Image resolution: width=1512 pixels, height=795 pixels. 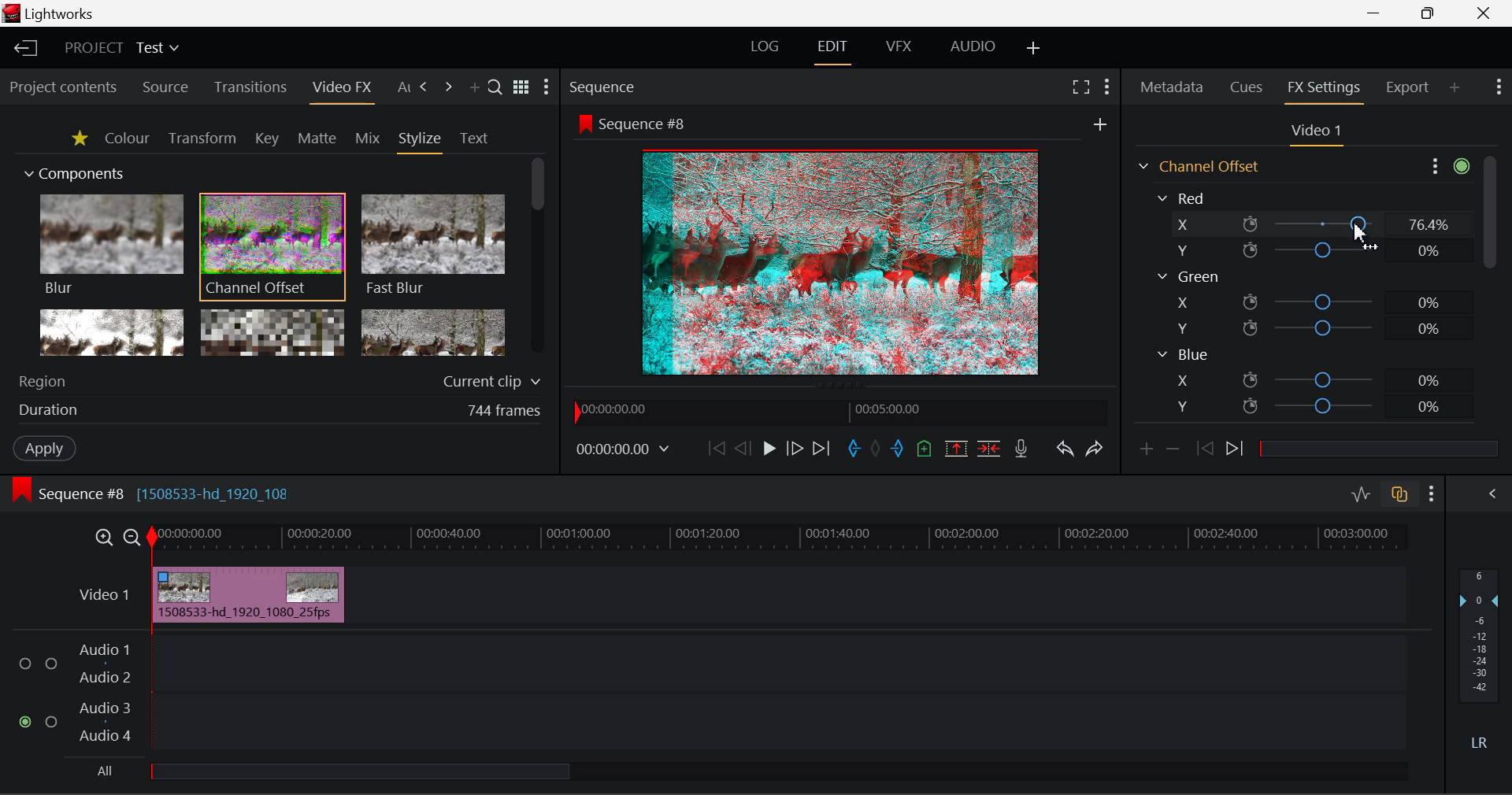 What do you see at coordinates (825, 449) in the screenshot?
I see `To End` at bounding box center [825, 449].